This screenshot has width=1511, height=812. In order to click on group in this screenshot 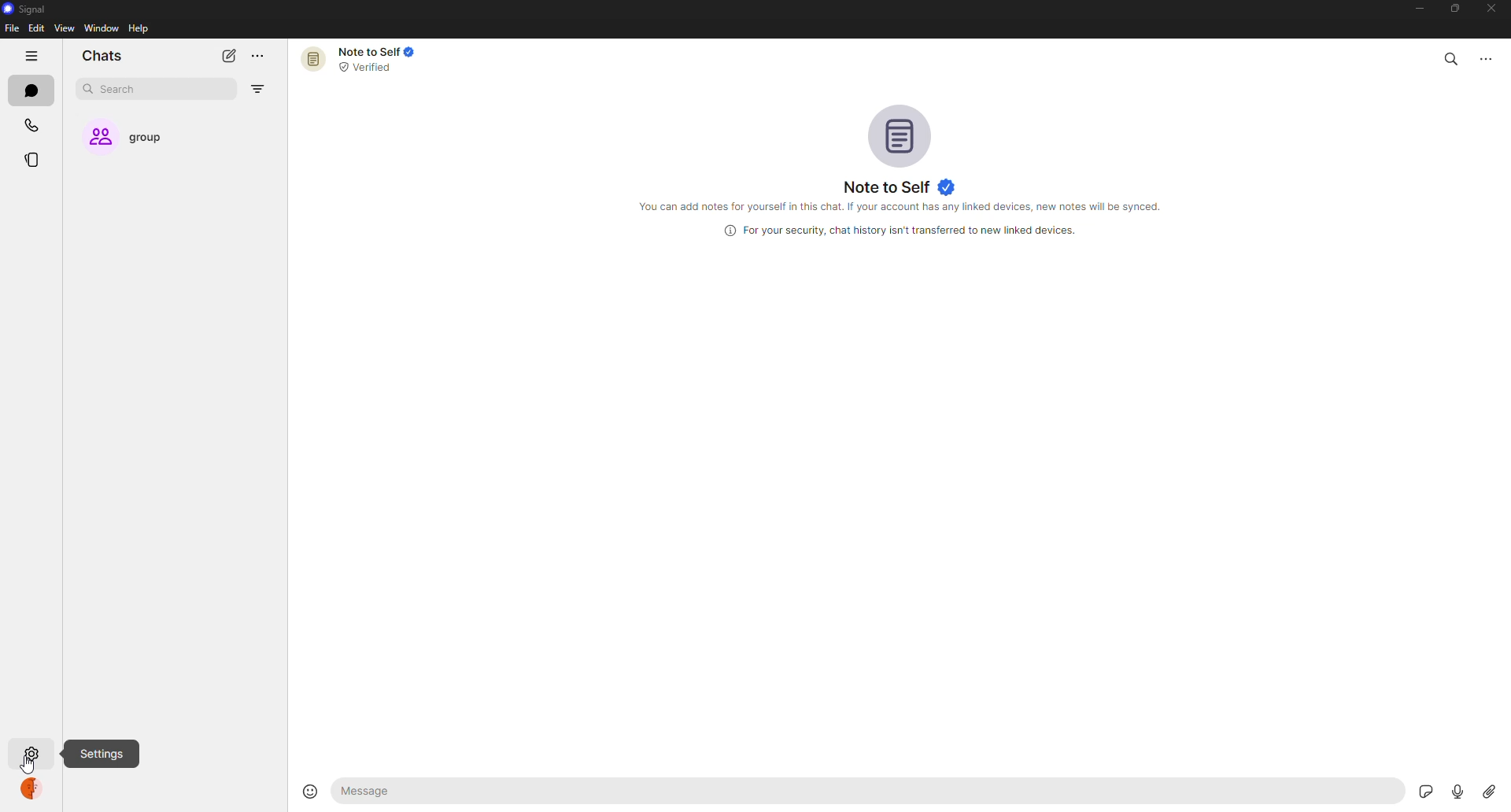, I will do `click(139, 138)`.